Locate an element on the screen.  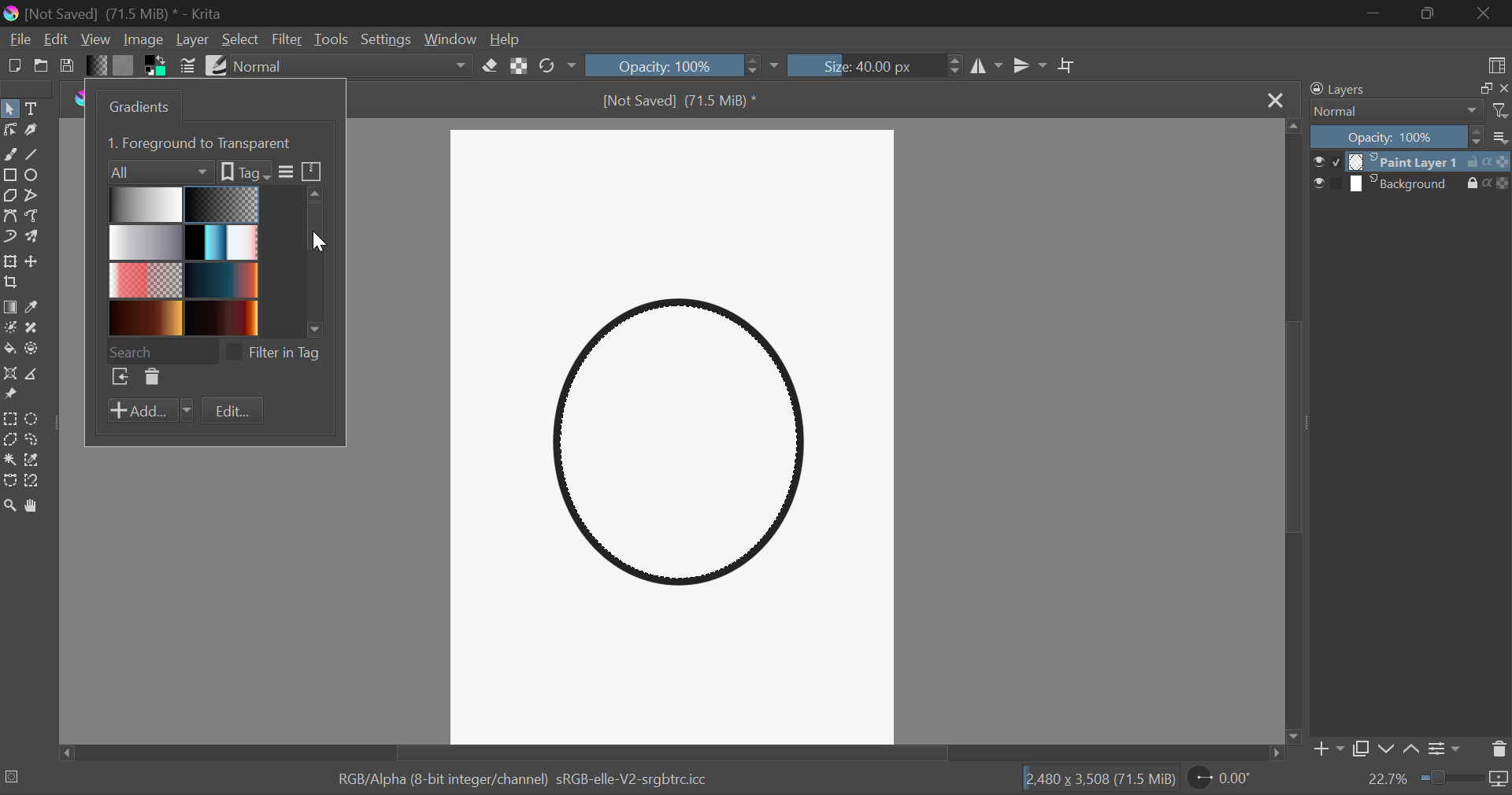
Open is located at coordinates (41, 66).